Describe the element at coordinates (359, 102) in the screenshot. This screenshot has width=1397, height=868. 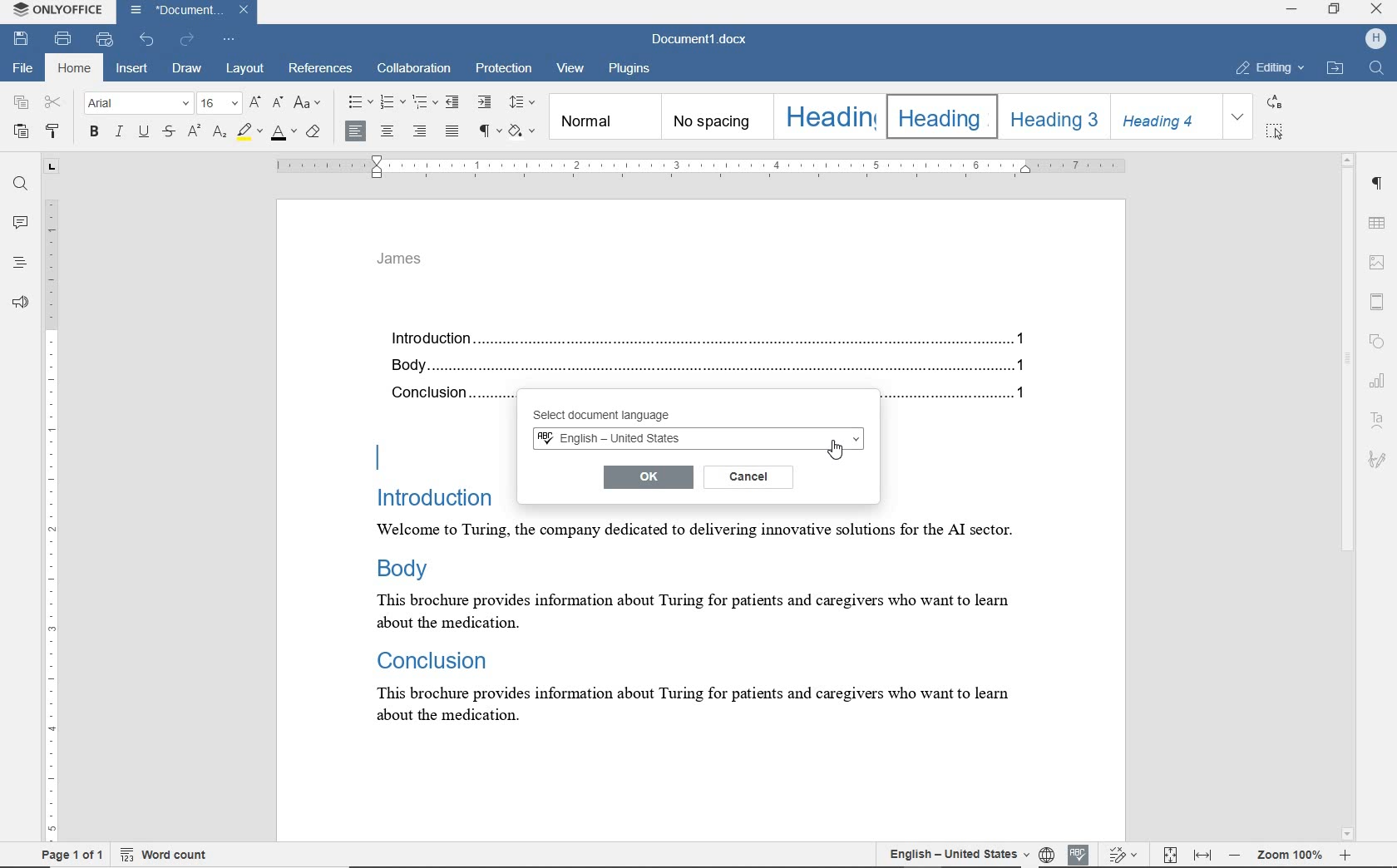
I see `bullets` at that location.